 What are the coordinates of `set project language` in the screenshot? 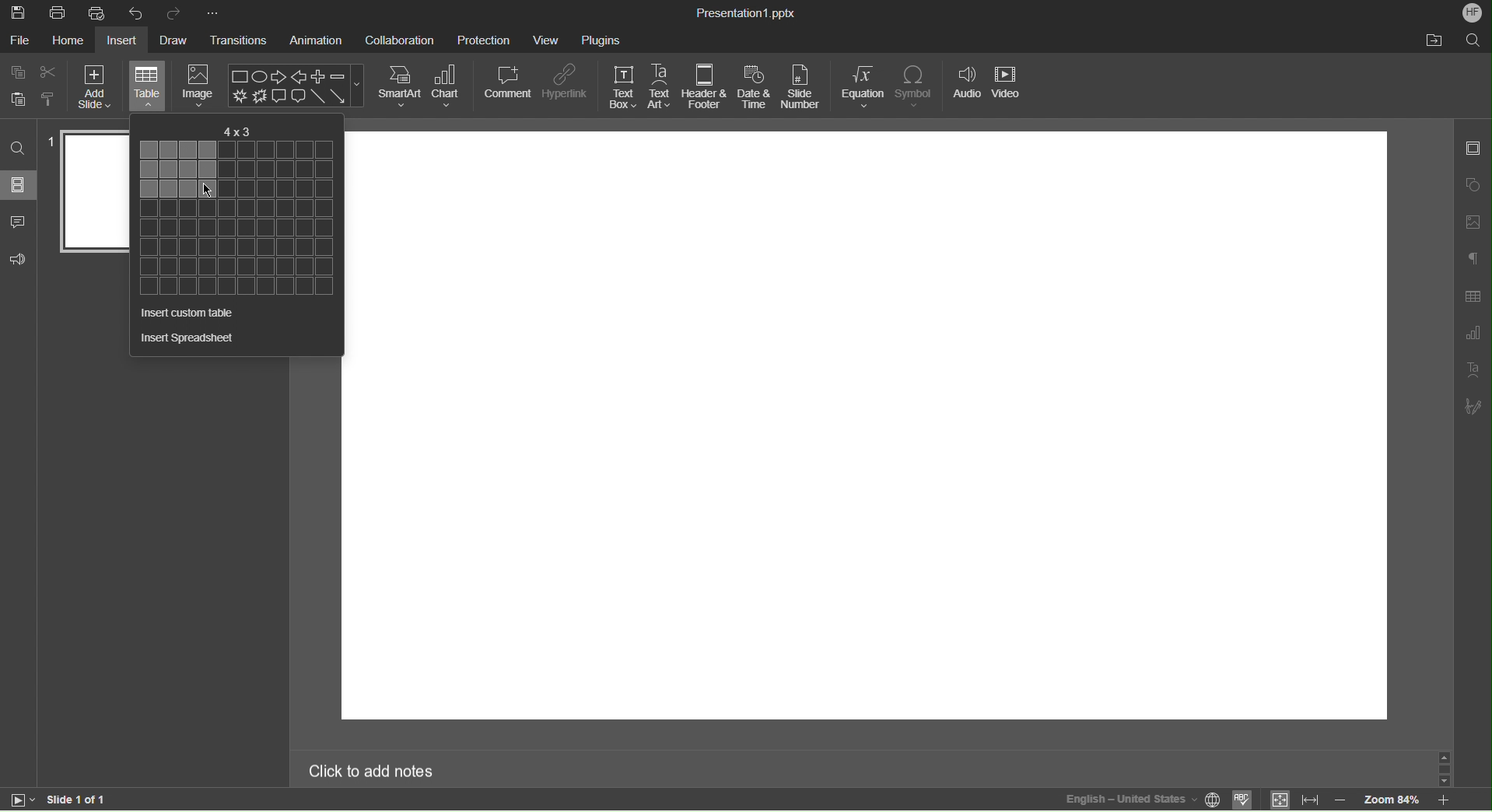 It's located at (1214, 798).